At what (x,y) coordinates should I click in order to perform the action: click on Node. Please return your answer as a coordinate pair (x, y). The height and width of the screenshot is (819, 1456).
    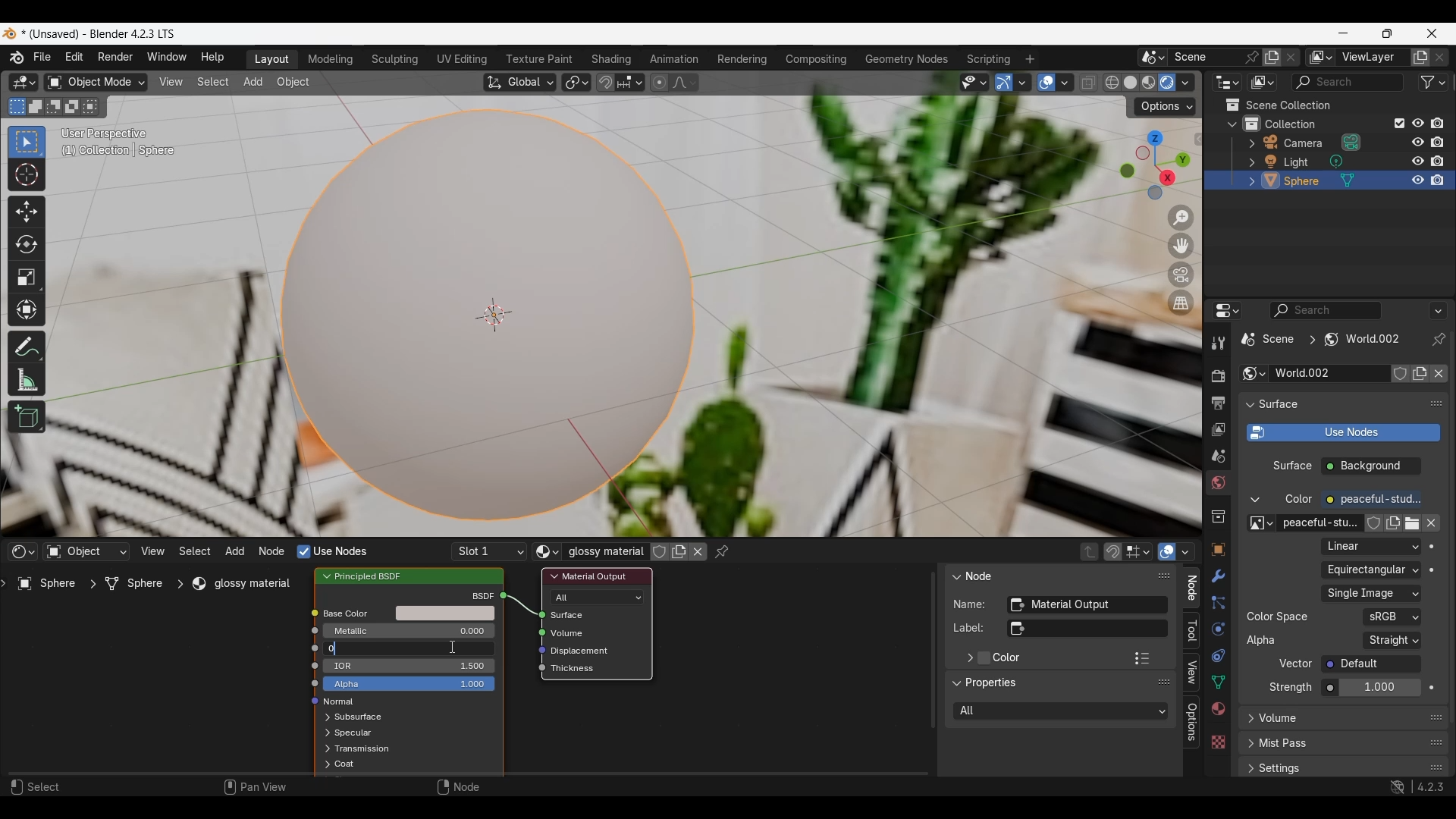
    Looking at the image, I should click on (981, 575).